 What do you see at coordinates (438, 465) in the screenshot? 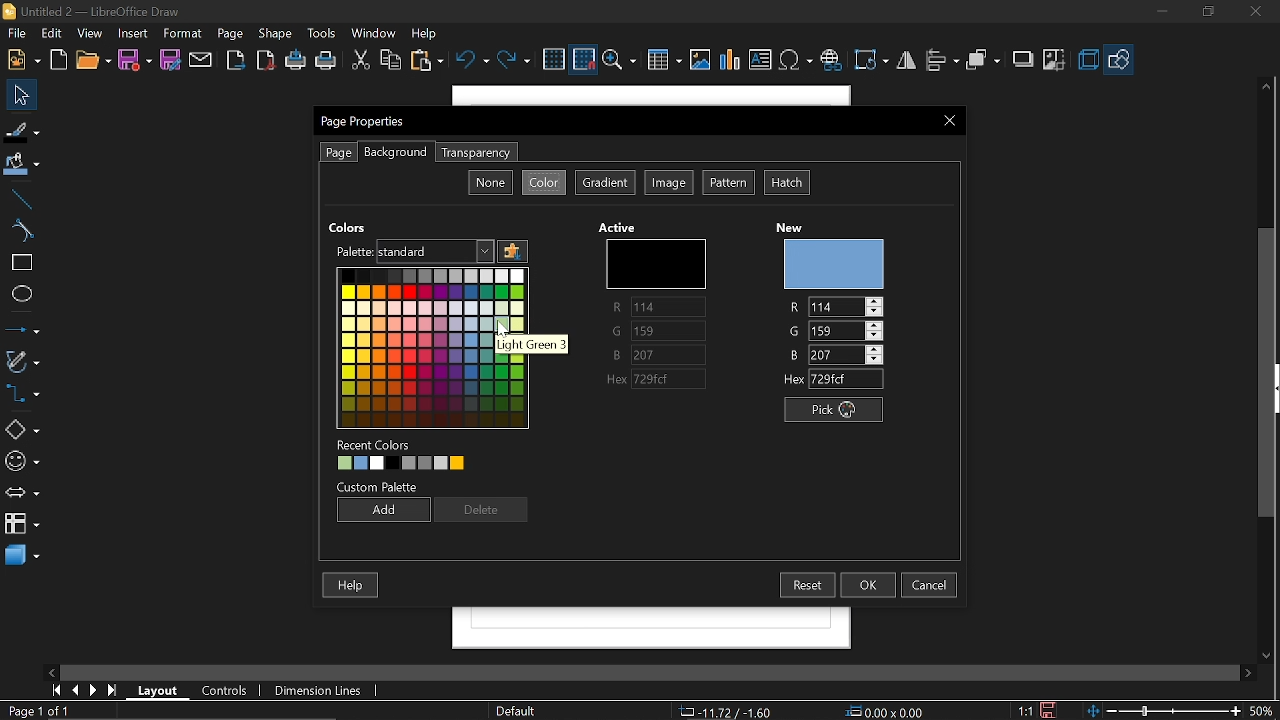
I see `Recent colors` at bounding box center [438, 465].